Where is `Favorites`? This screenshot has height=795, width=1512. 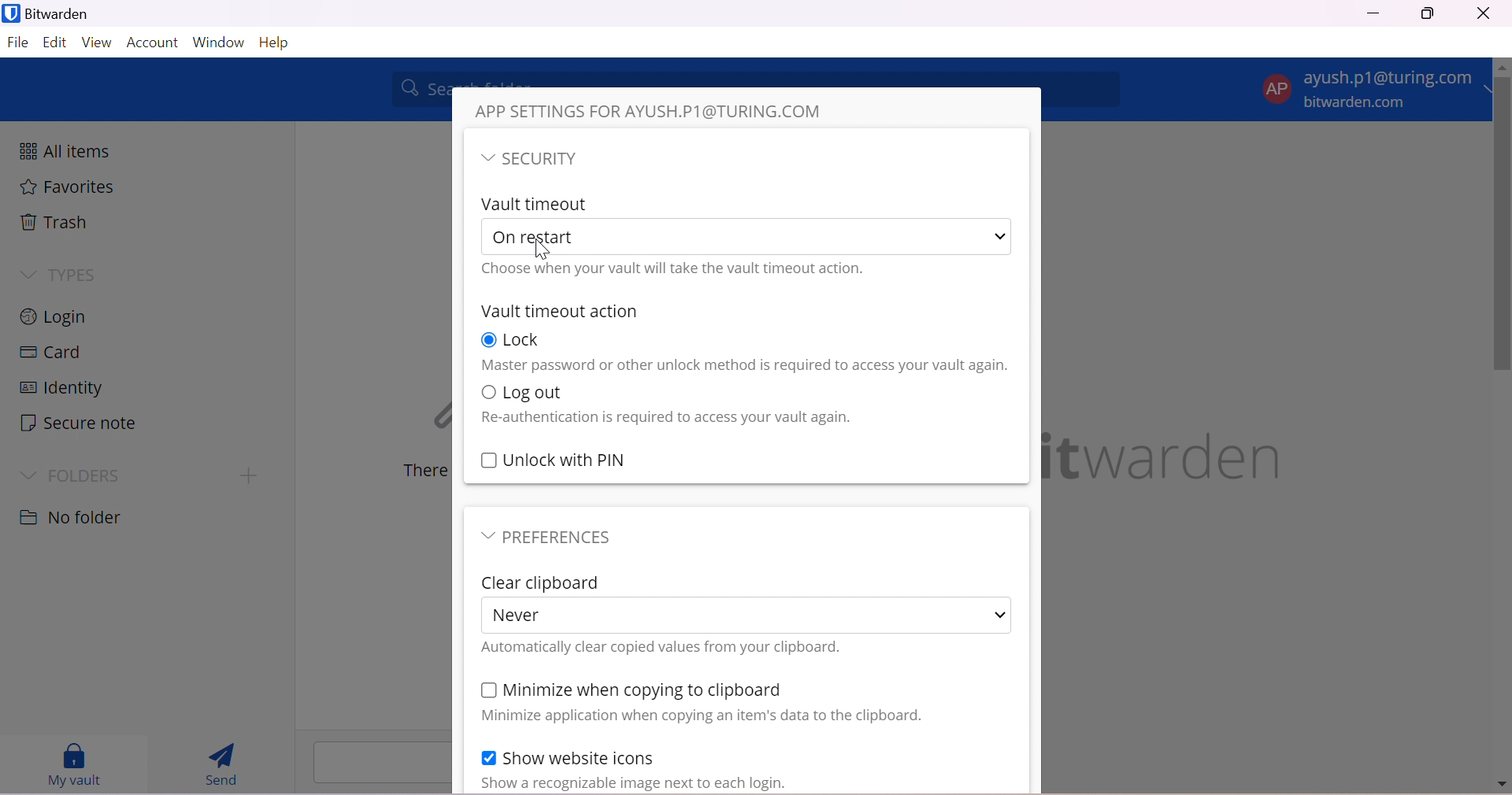
Favorites is located at coordinates (69, 187).